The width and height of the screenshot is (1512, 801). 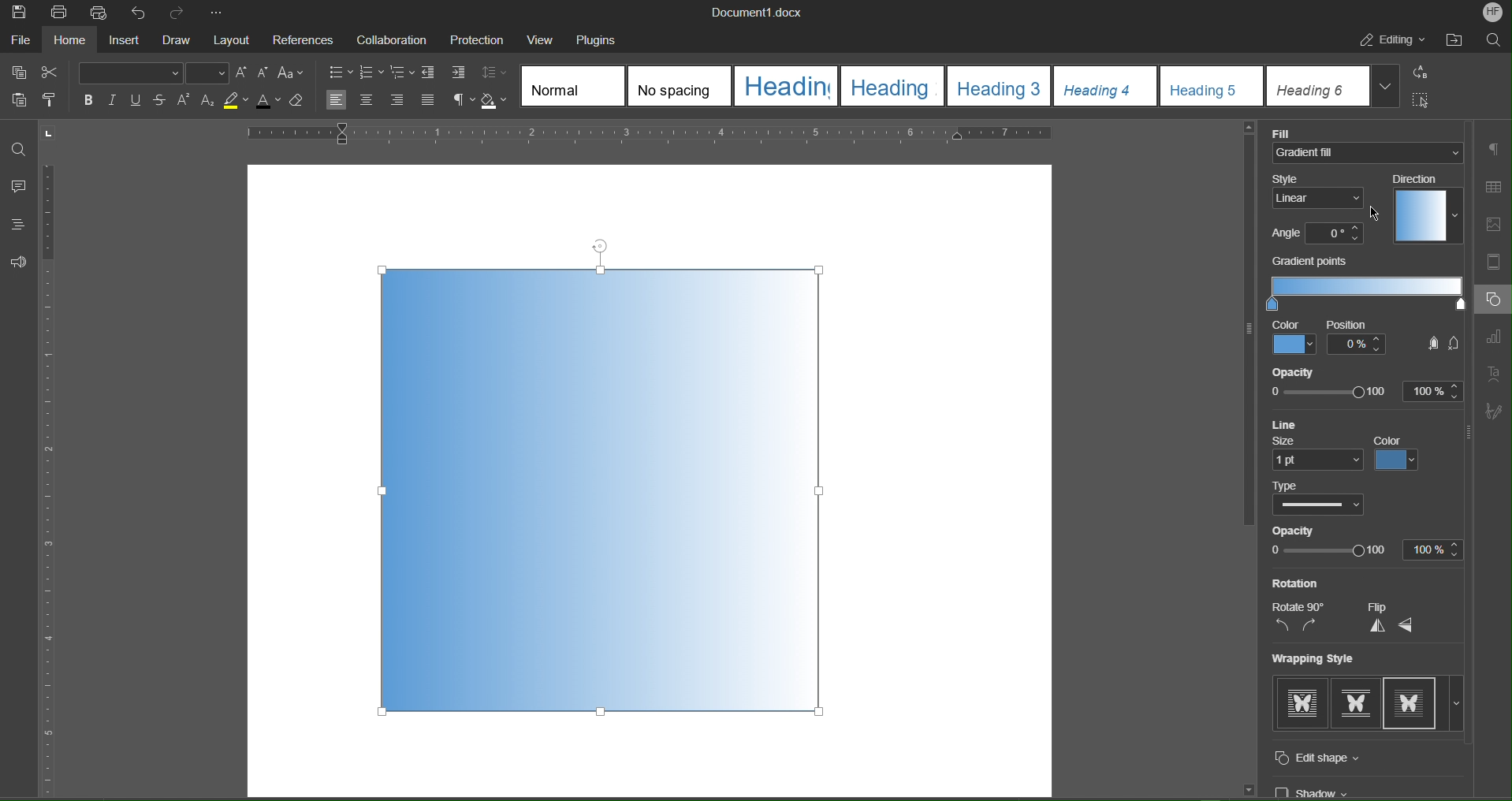 I want to click on Justify, so click(x=430, y=101).